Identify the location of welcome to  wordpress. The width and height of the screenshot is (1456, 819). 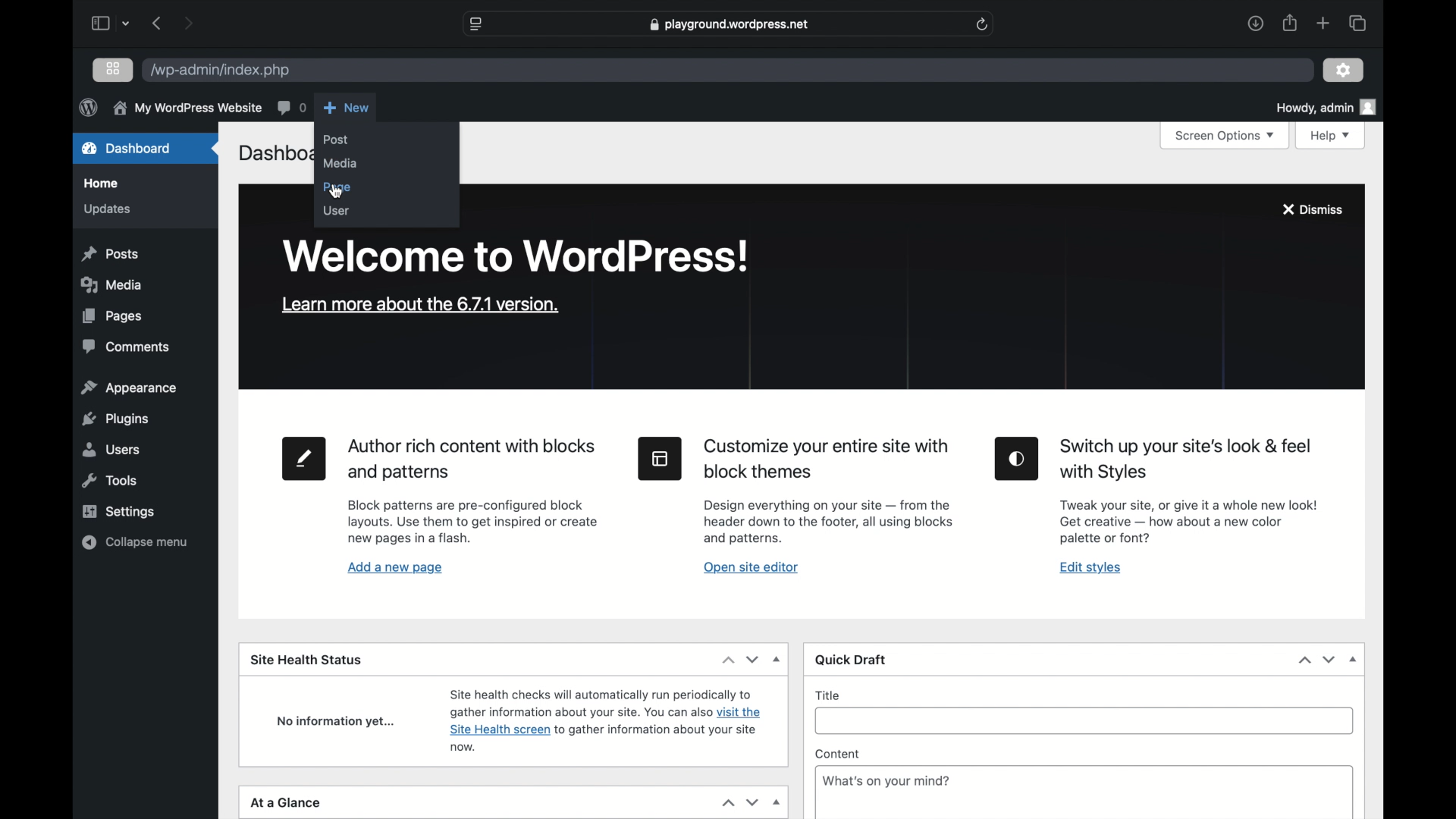
(515, 257).